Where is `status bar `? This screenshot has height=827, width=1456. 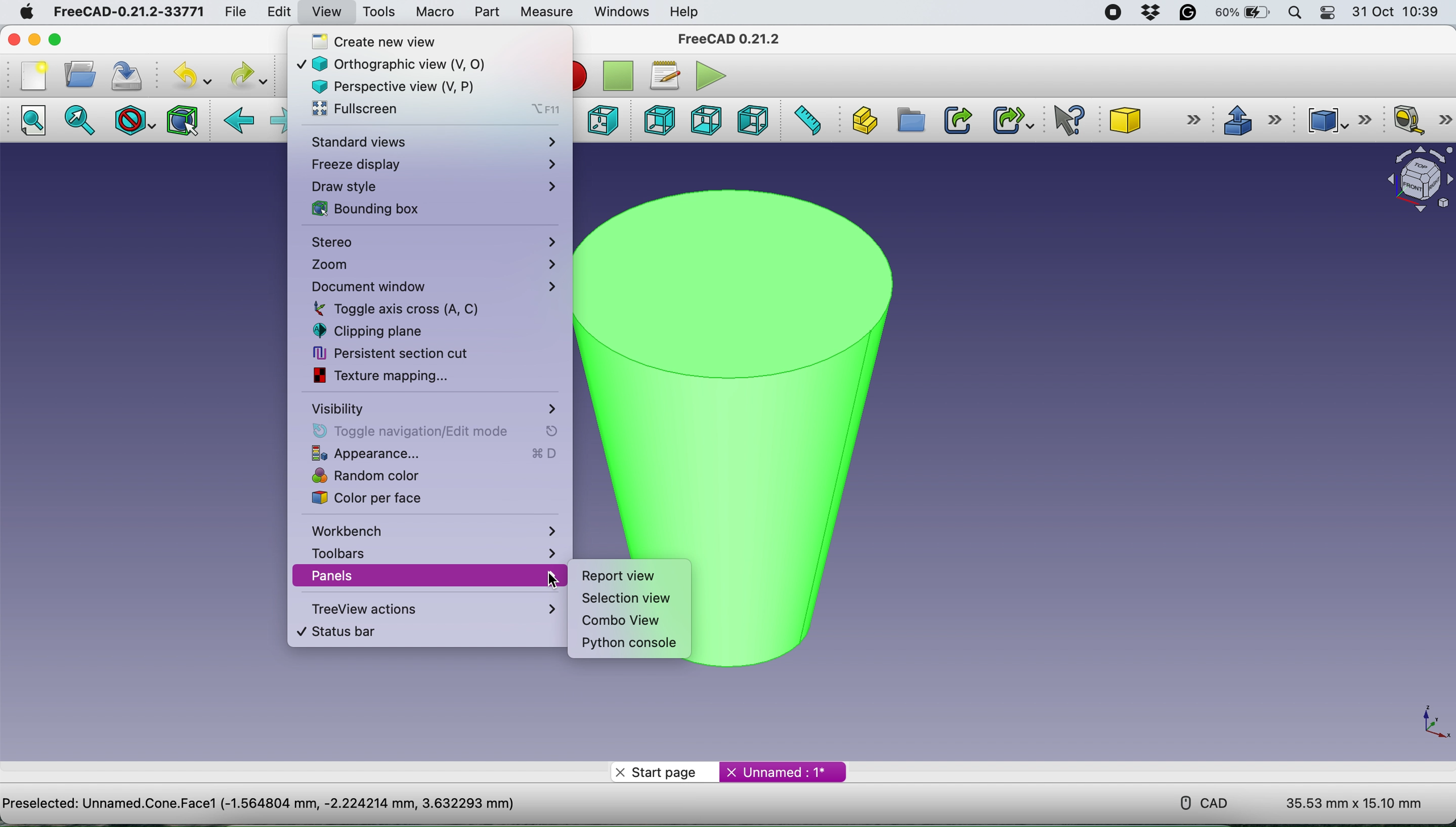 status bar  is located at coordinates (416, 632).